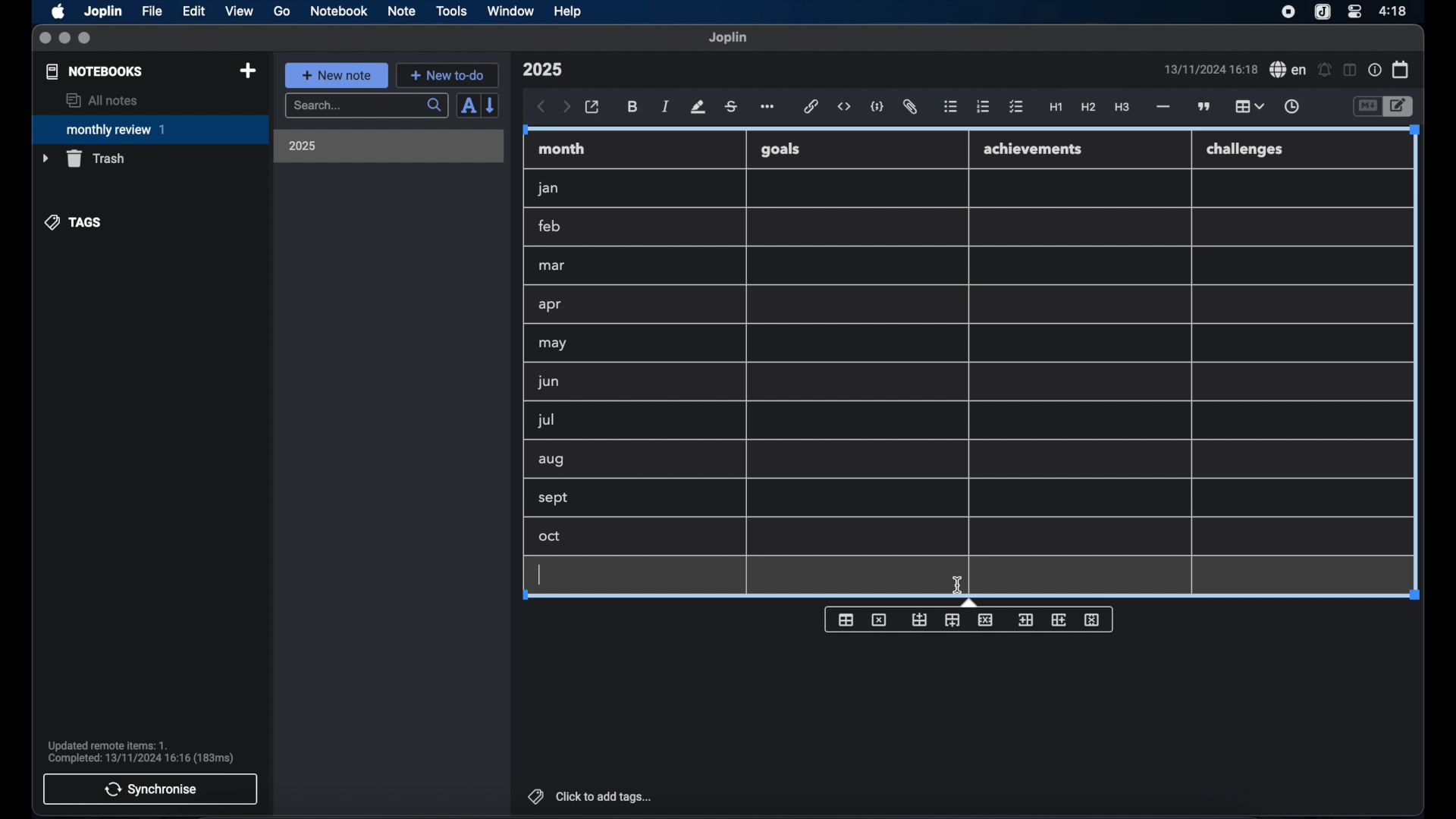 The width and height of the screenshot is (1456, 819). I want to click on insert row before, so click(920, 620).